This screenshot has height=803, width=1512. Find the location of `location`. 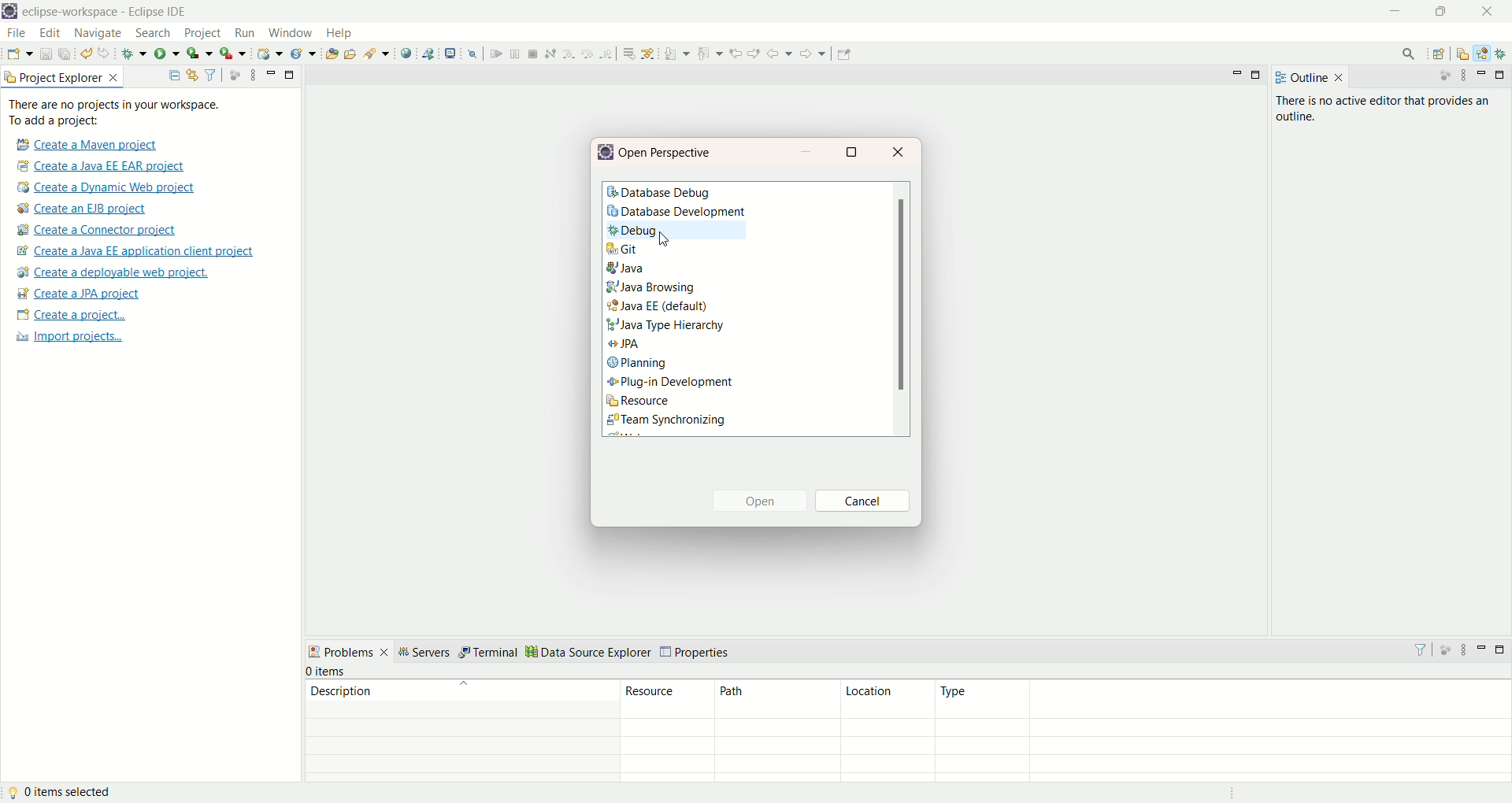

location is located at coordinates (888, 729).